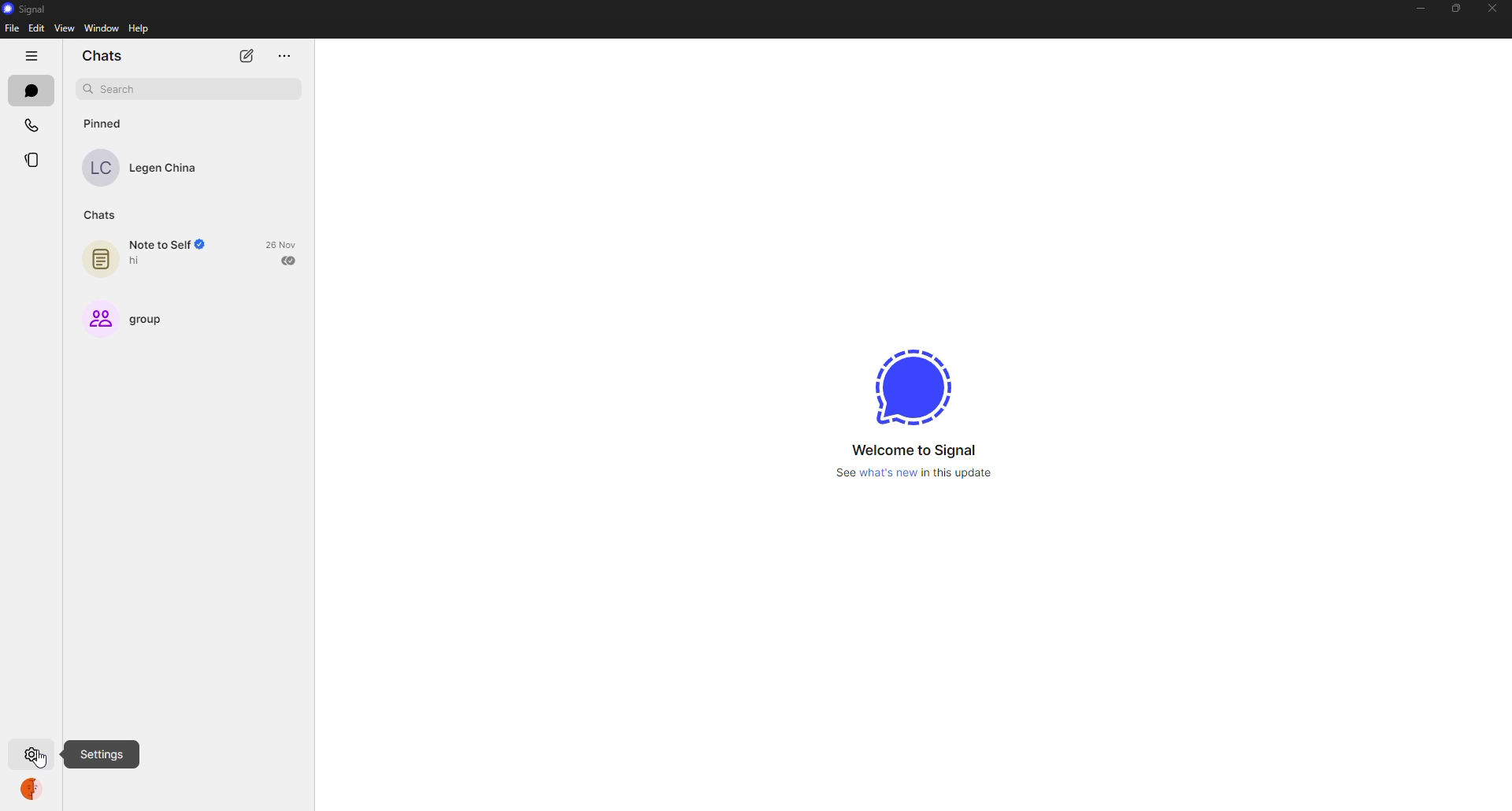  What do you see at coordinates (143, 167) in the screenshot?
I see `Legen China` at bounding box center [143, 167].